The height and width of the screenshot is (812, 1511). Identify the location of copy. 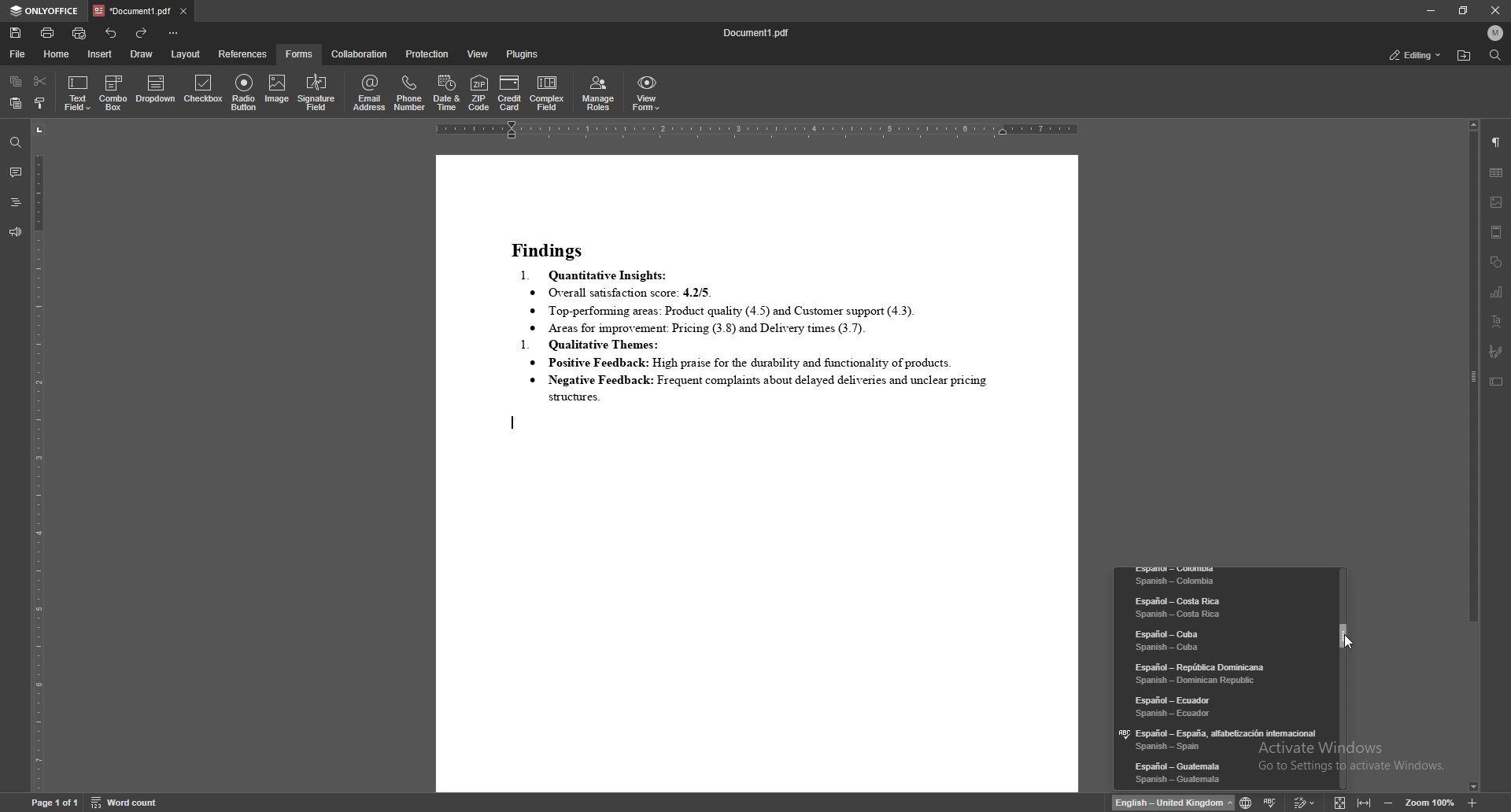
(16, 81).